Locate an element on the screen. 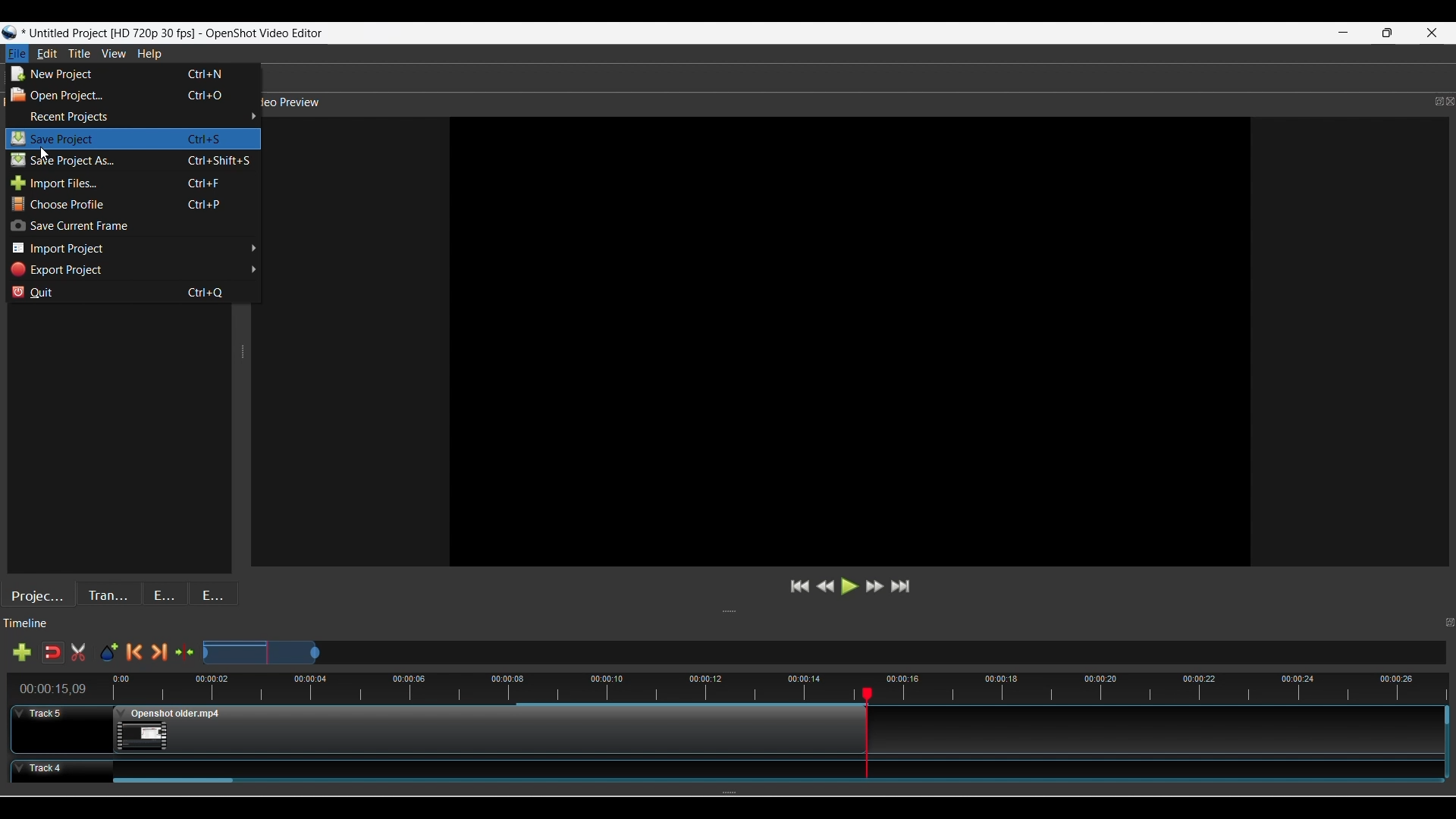 Image resolution: width=1456 pixels, height=819 pixels. Edit is located at coordinates (46, 54).